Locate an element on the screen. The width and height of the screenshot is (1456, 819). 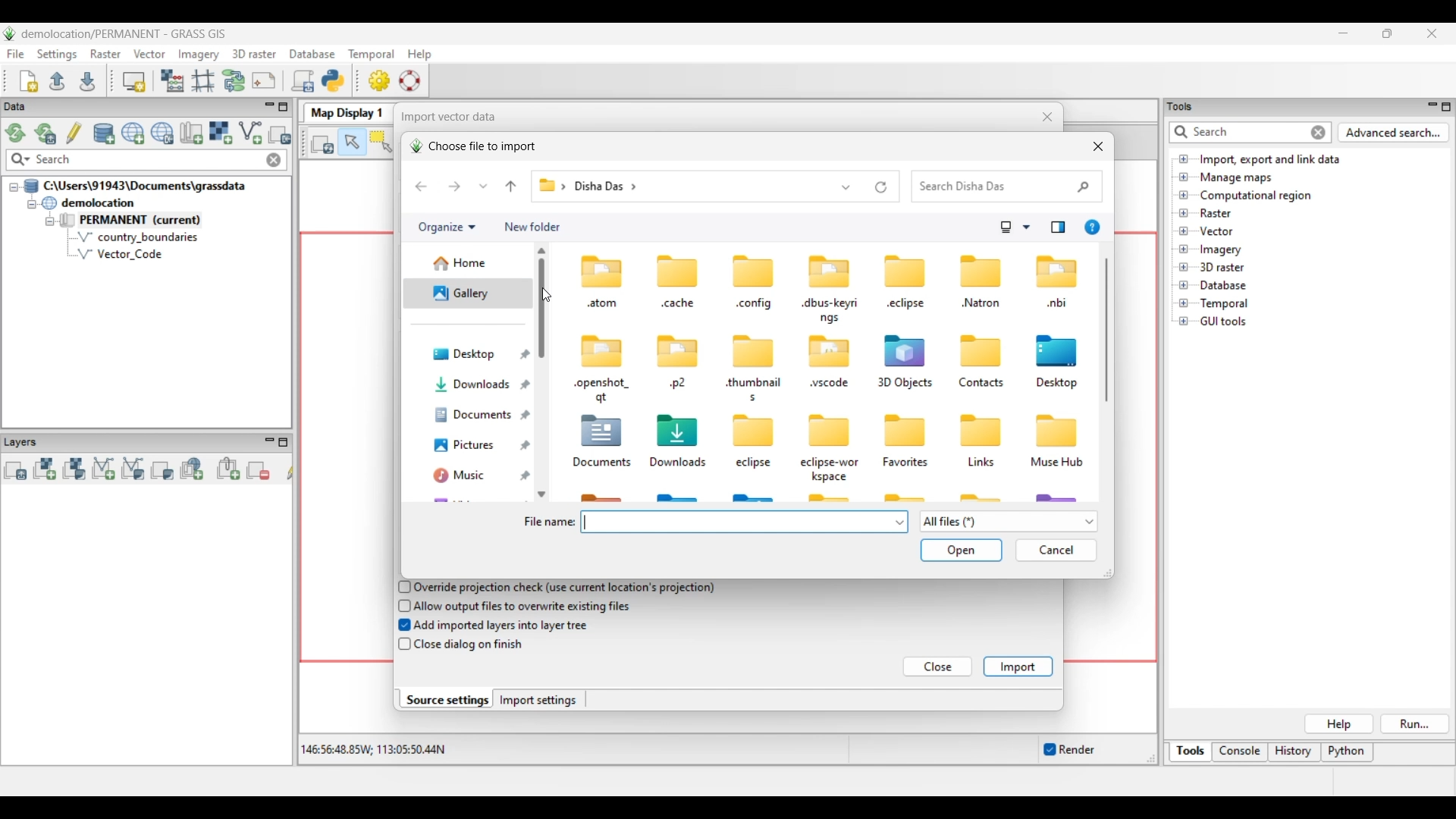
Double click to see files under GUI tools is located at coordinates (1224, 322).